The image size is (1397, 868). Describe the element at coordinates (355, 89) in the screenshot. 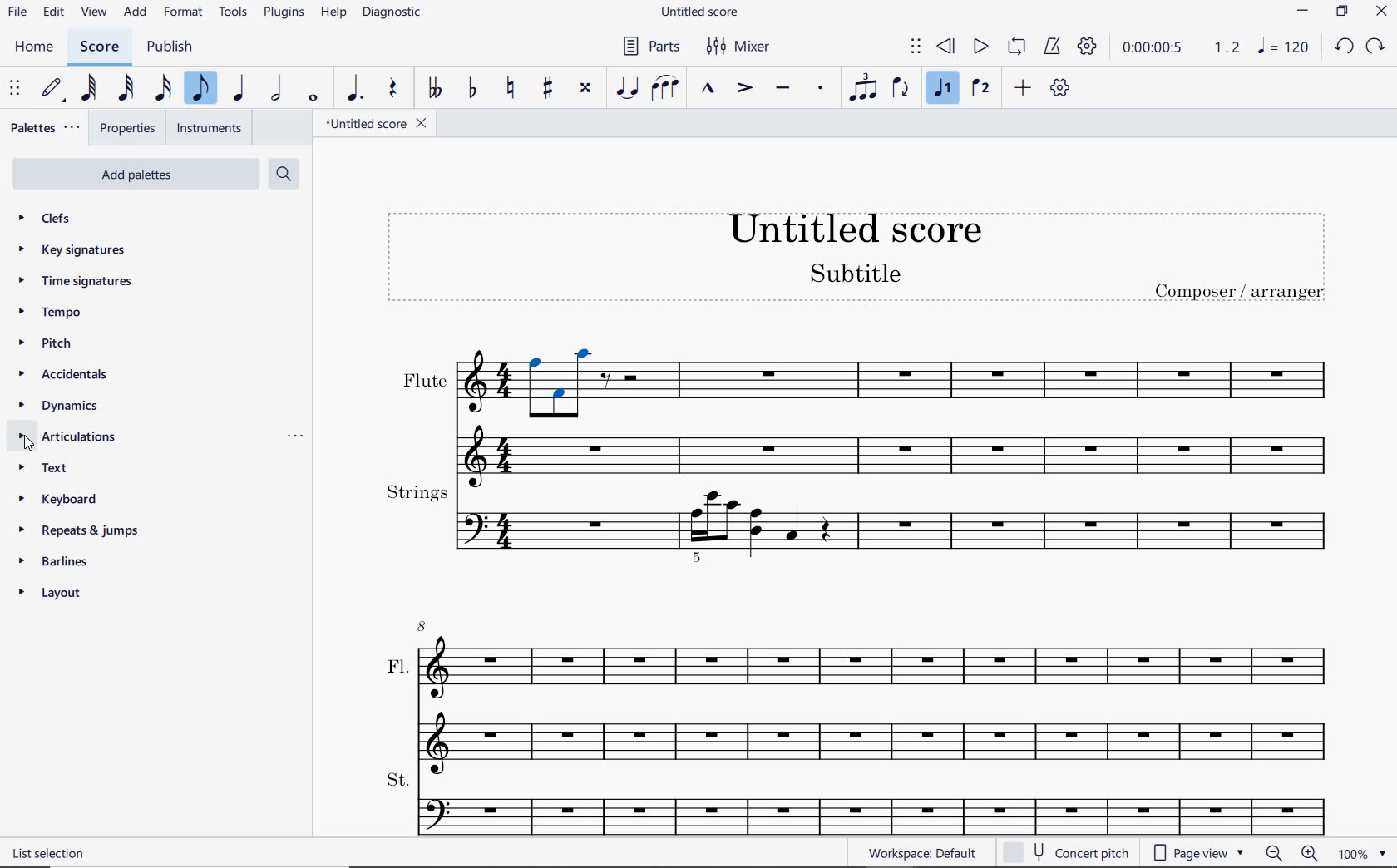

I see `AUGMENTATION DOT` at that location.